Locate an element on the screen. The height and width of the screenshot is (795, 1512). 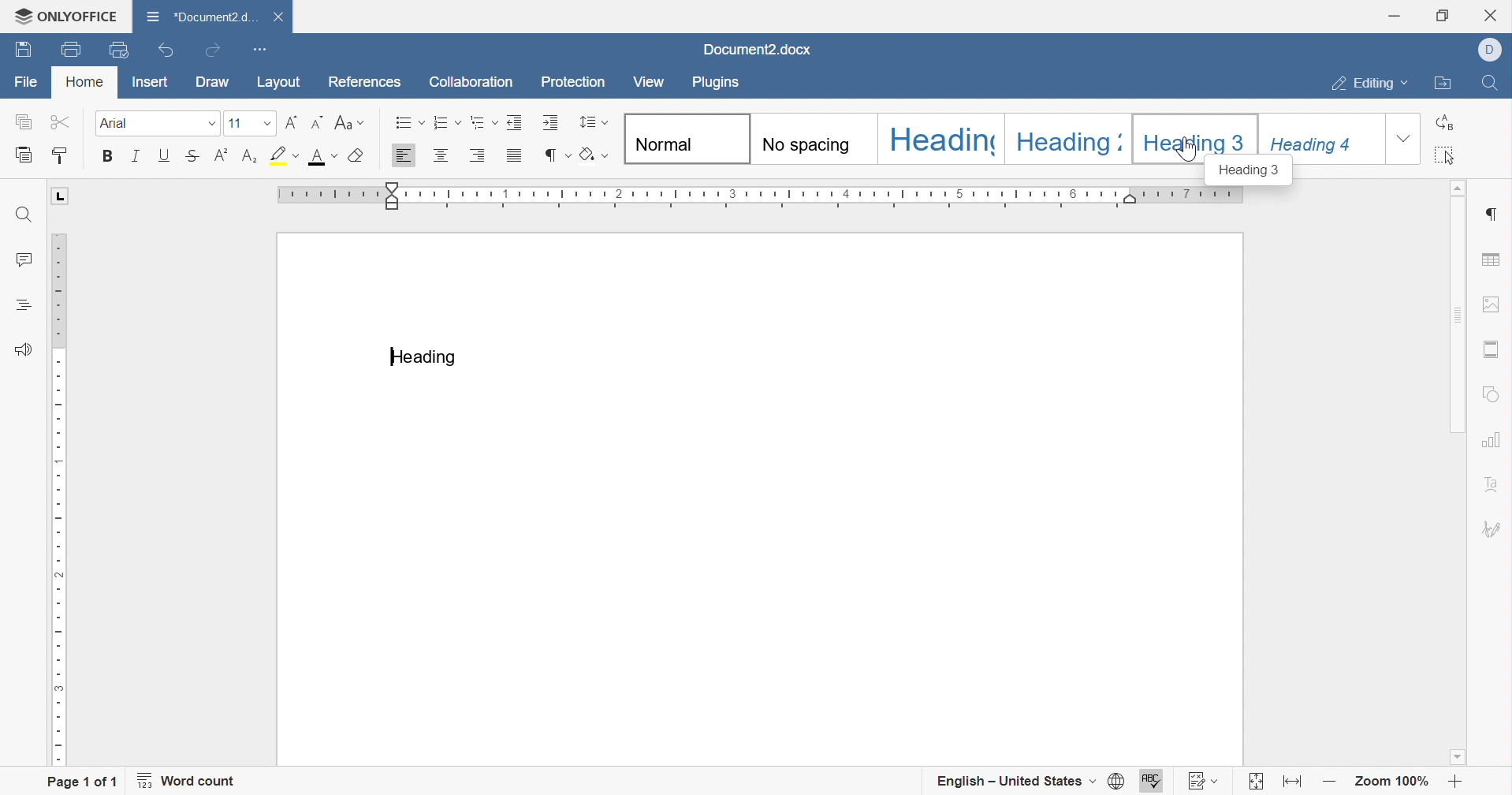
Replace is located at coordinates (1443, 121).